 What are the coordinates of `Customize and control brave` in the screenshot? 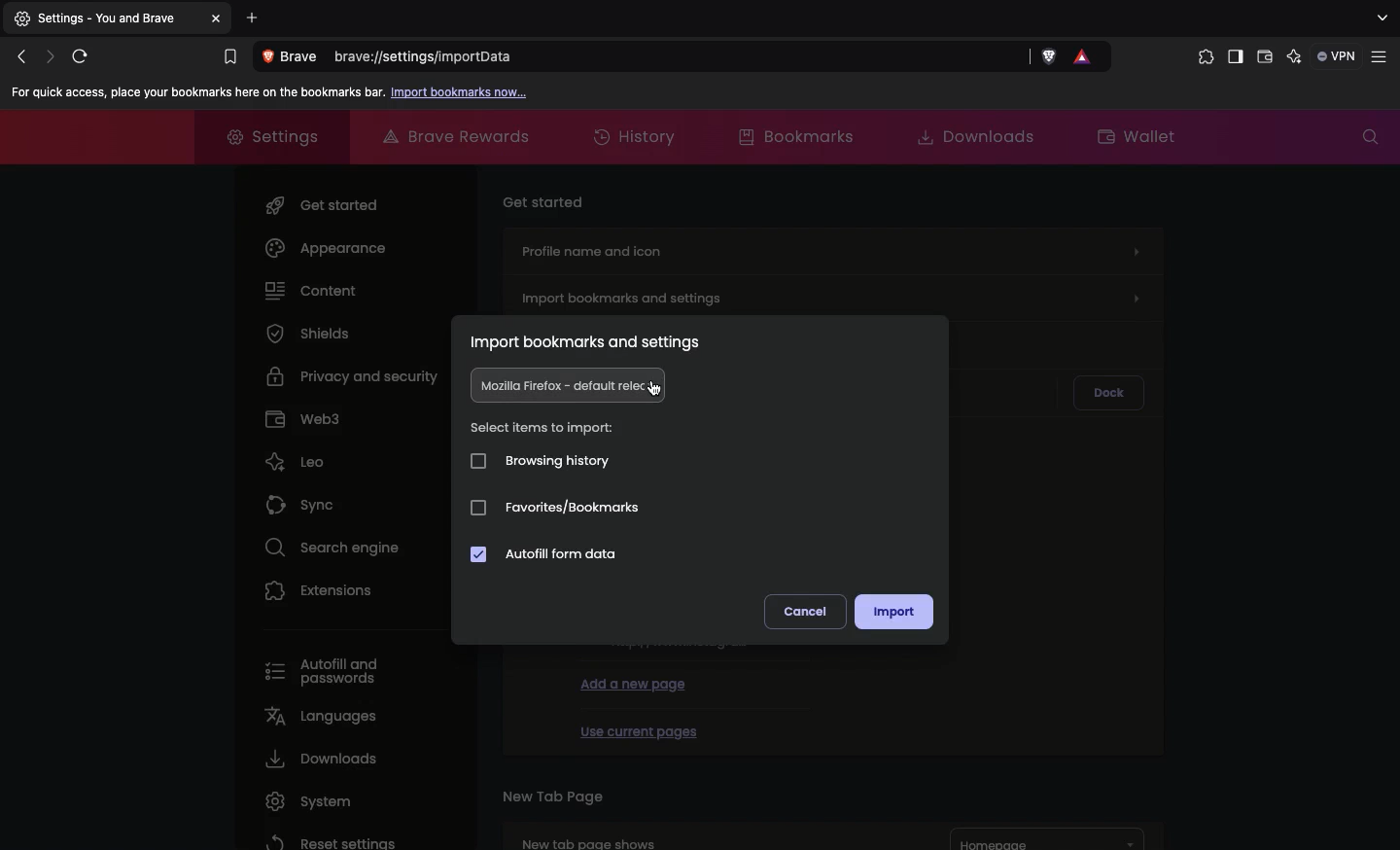 It's located at (1382, 57).